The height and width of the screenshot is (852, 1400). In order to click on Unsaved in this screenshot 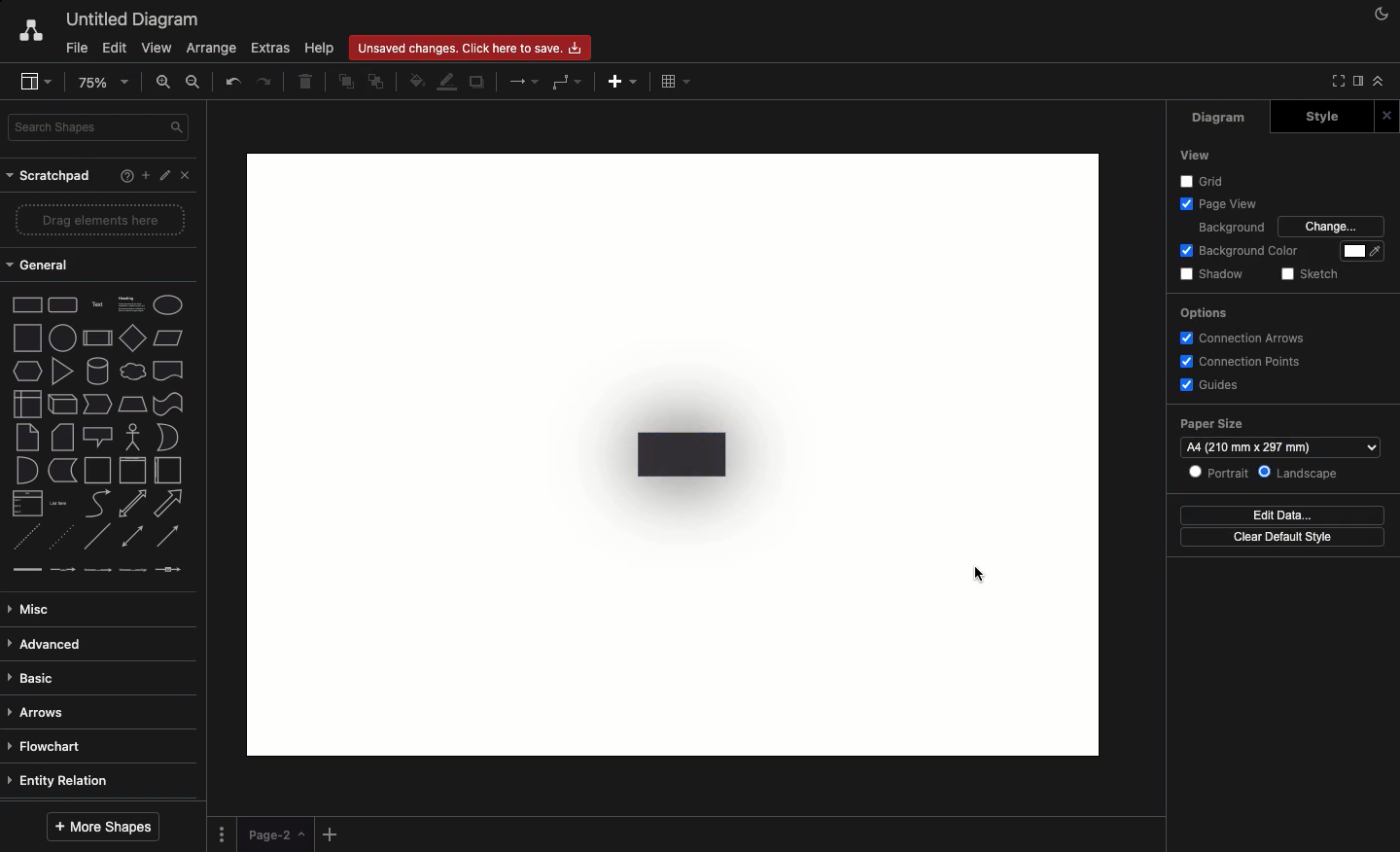, I will do `click(471, 50)`.